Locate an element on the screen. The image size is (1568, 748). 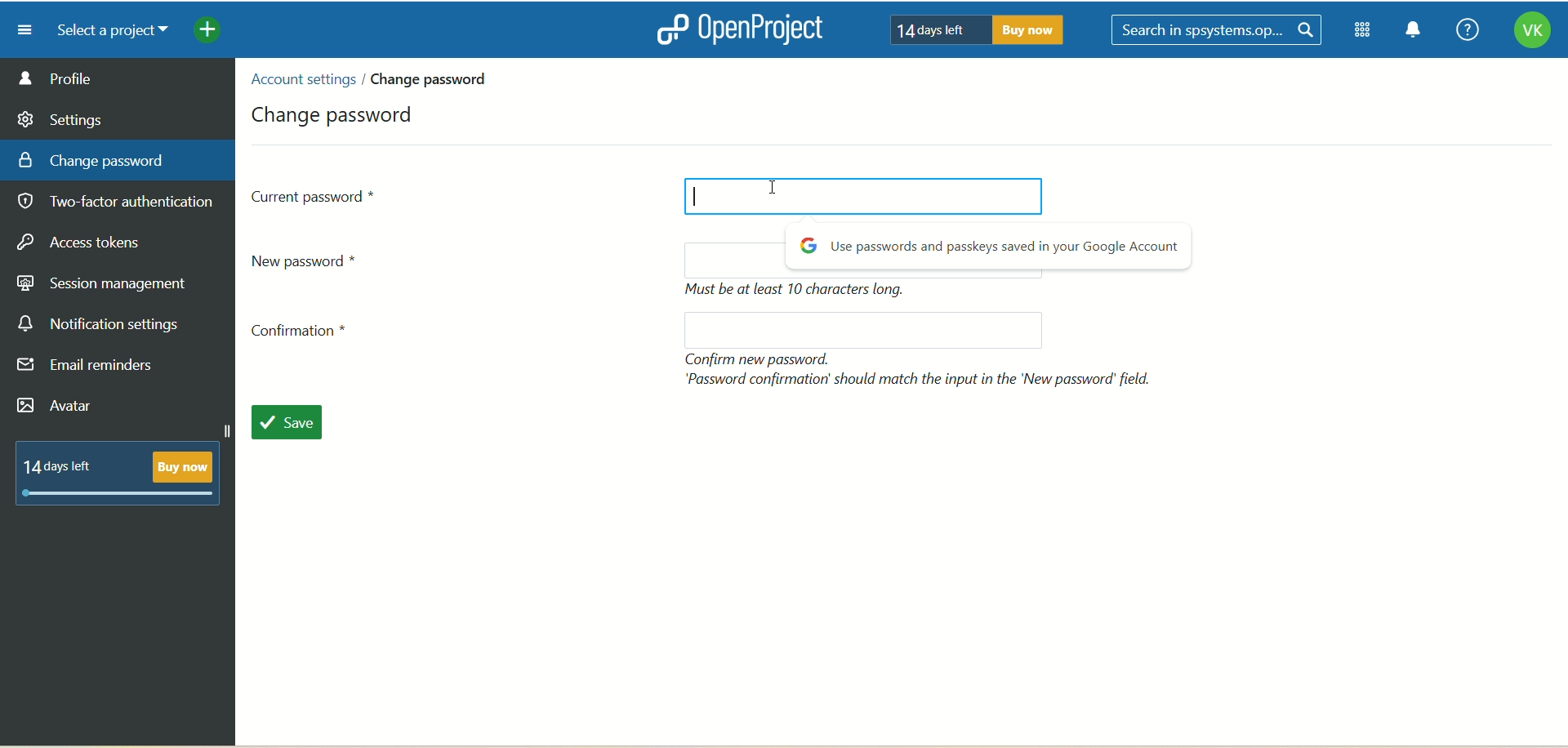
notification is located at coordinates (1414, 32).